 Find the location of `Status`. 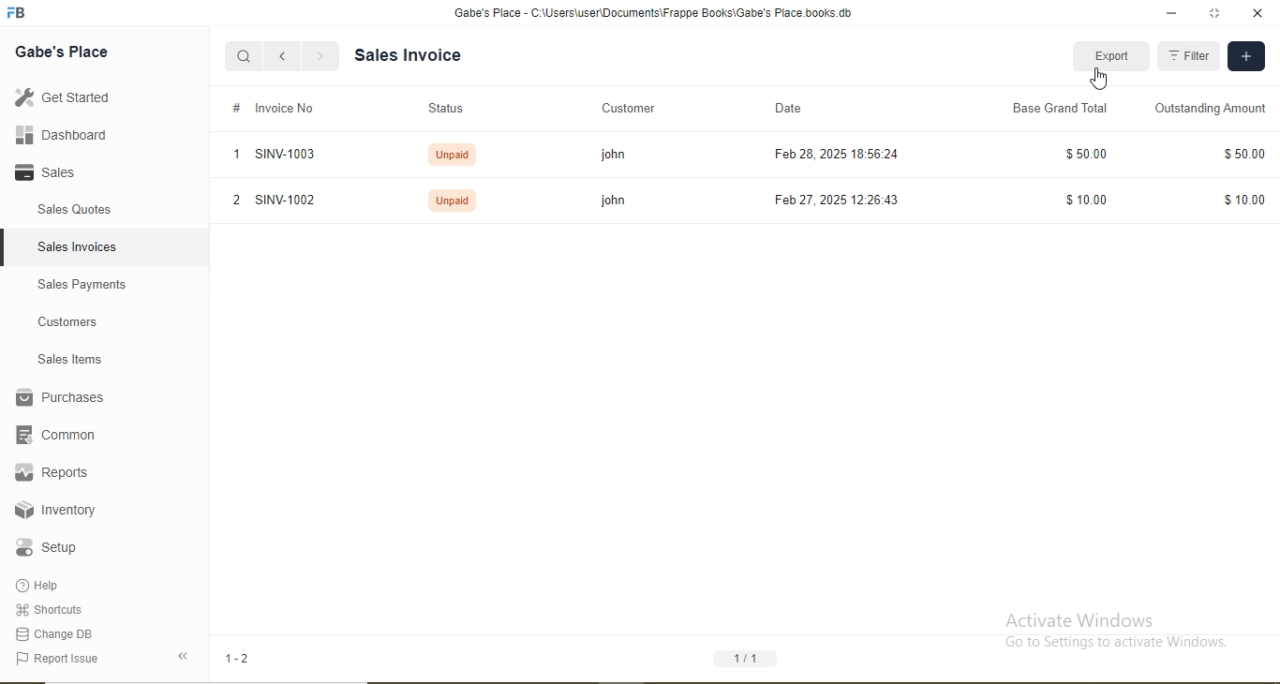

Status is located at coordinates (445, 109).